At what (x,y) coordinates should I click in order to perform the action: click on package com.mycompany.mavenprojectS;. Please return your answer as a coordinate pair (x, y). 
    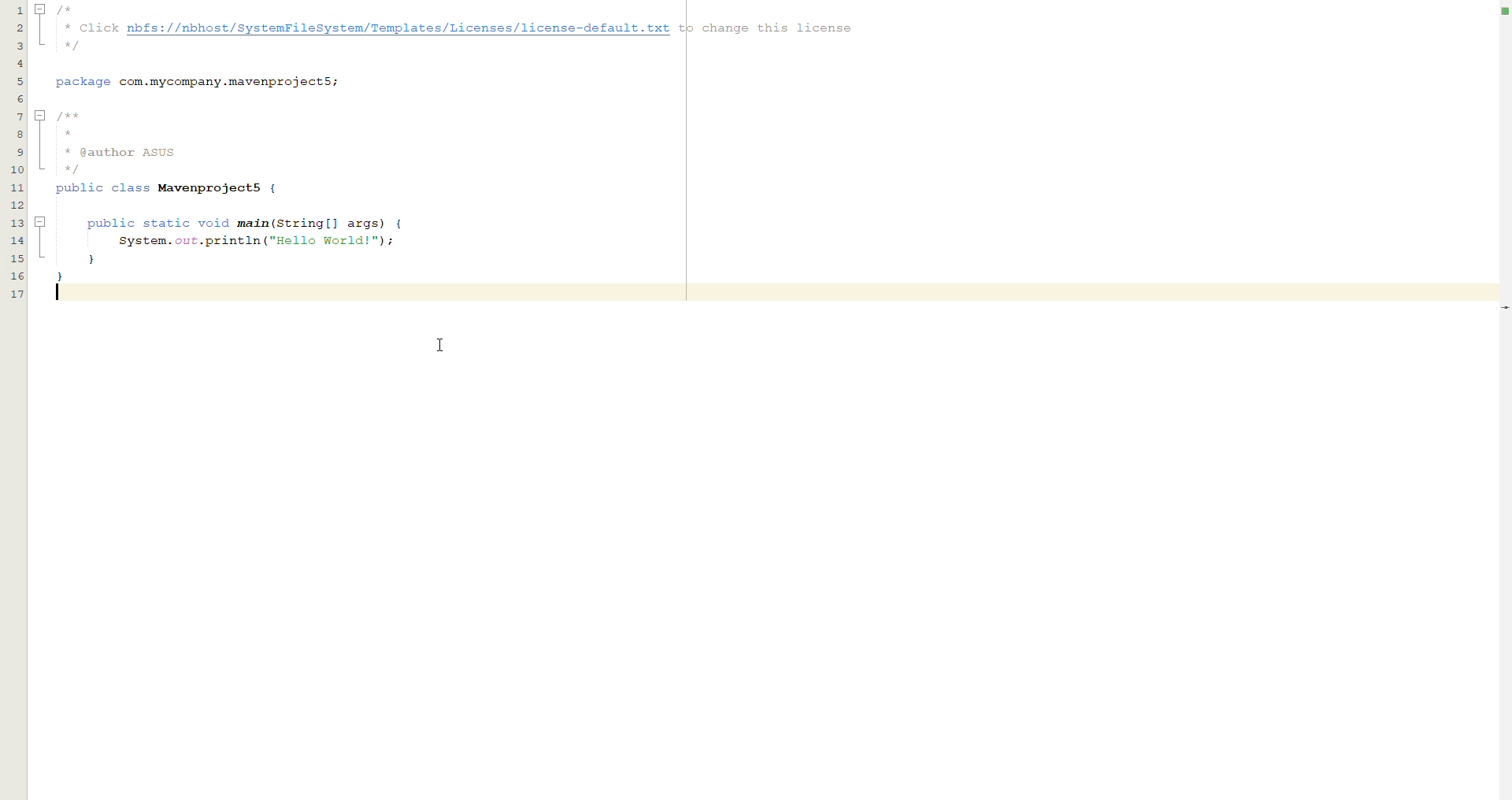
    Looking at the image, I should click on (202, 83).